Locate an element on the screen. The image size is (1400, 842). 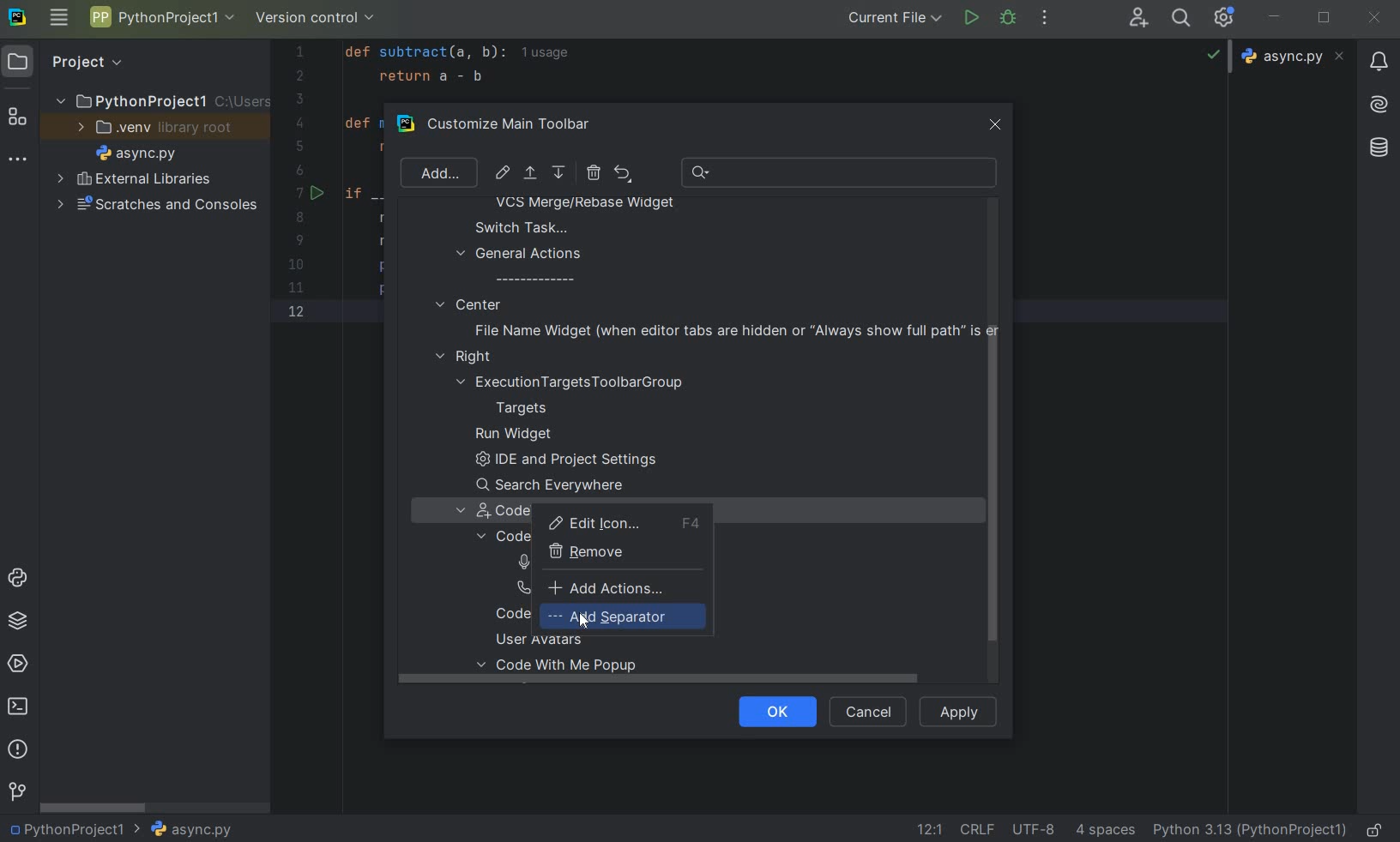
switch task is located at coordinates (513, 227).